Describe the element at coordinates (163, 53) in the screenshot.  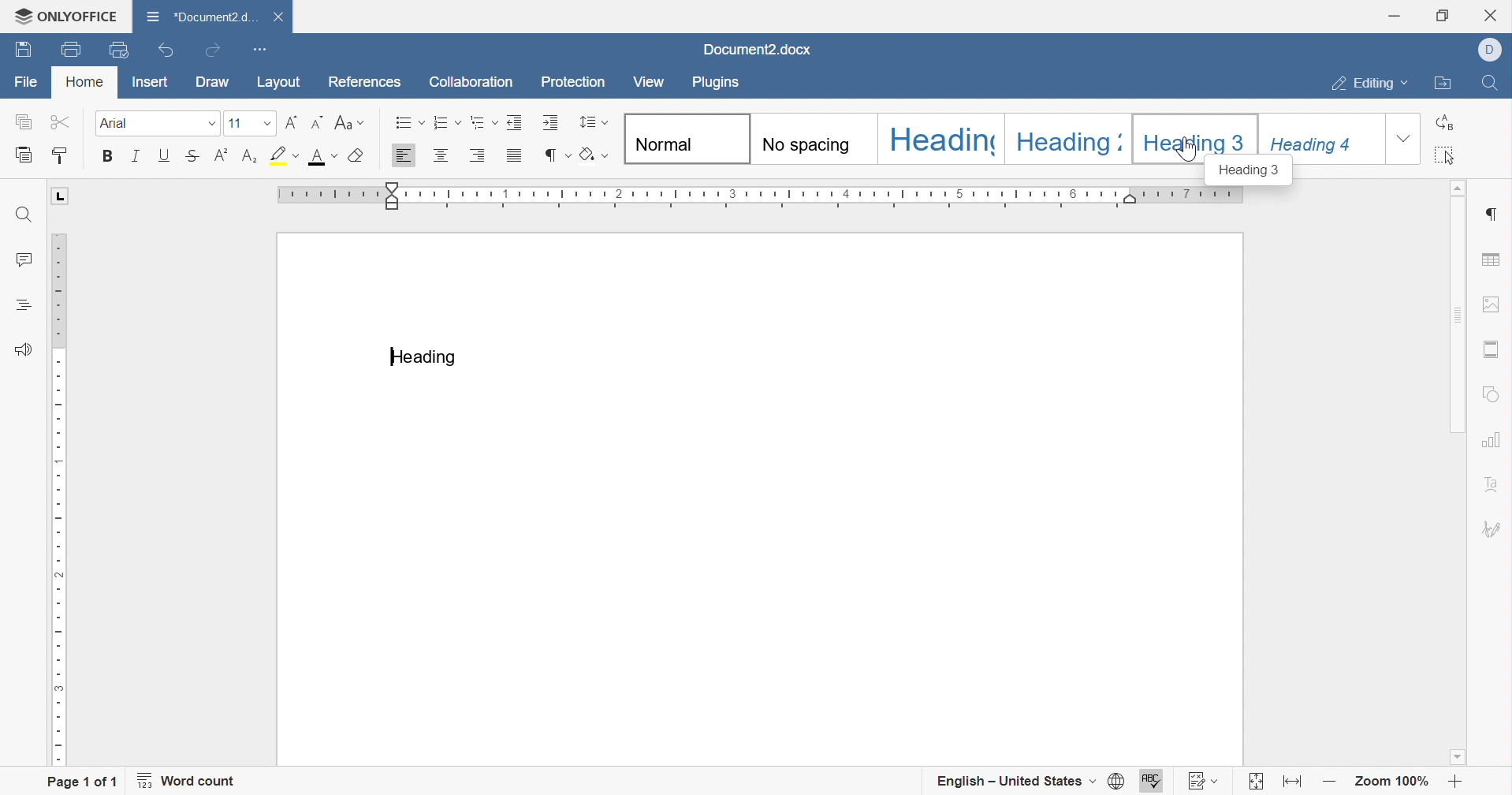
I see `Undo` at that location.